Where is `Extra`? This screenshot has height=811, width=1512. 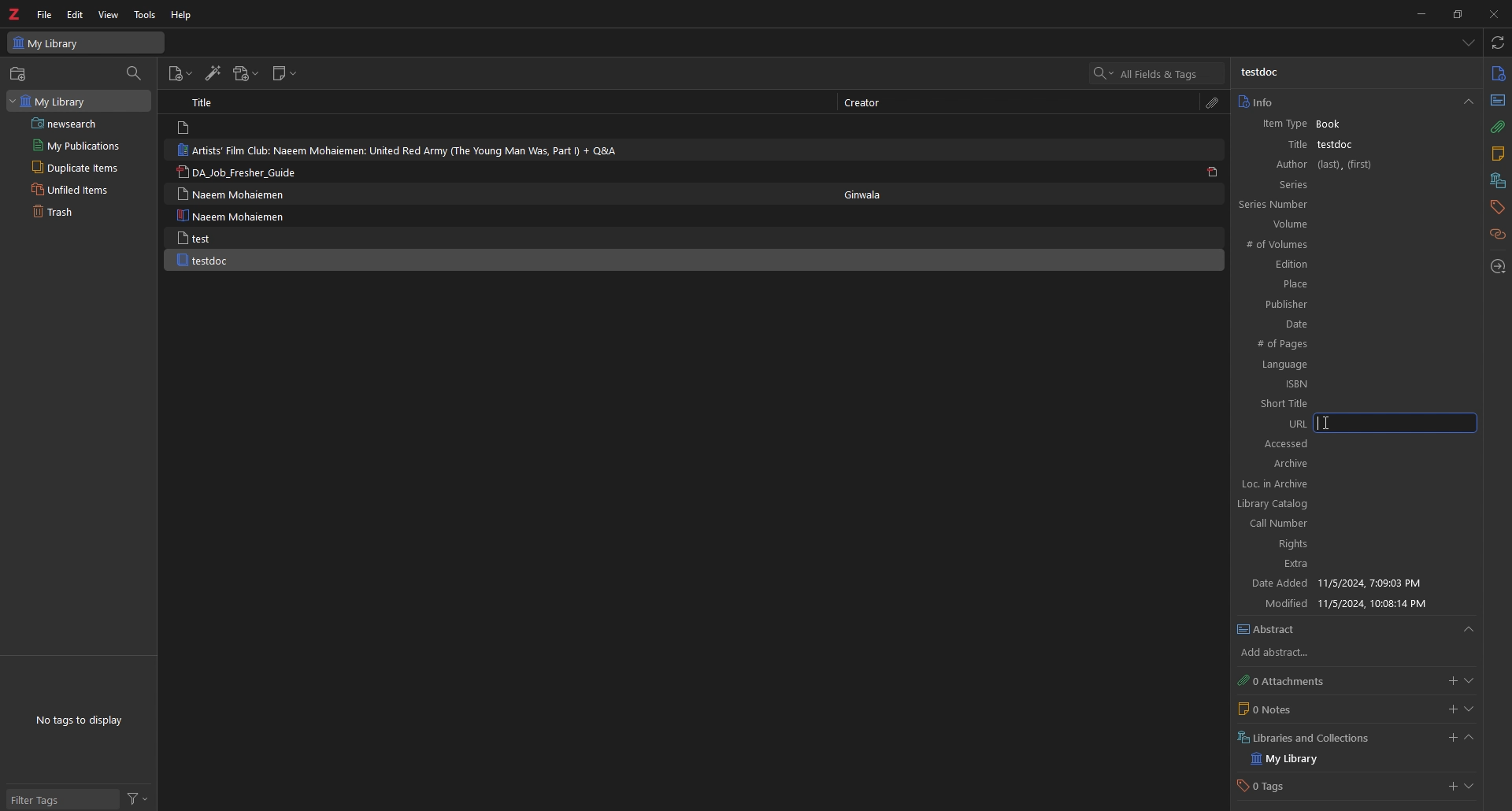
Extra is located at coordinates (1346, 565).